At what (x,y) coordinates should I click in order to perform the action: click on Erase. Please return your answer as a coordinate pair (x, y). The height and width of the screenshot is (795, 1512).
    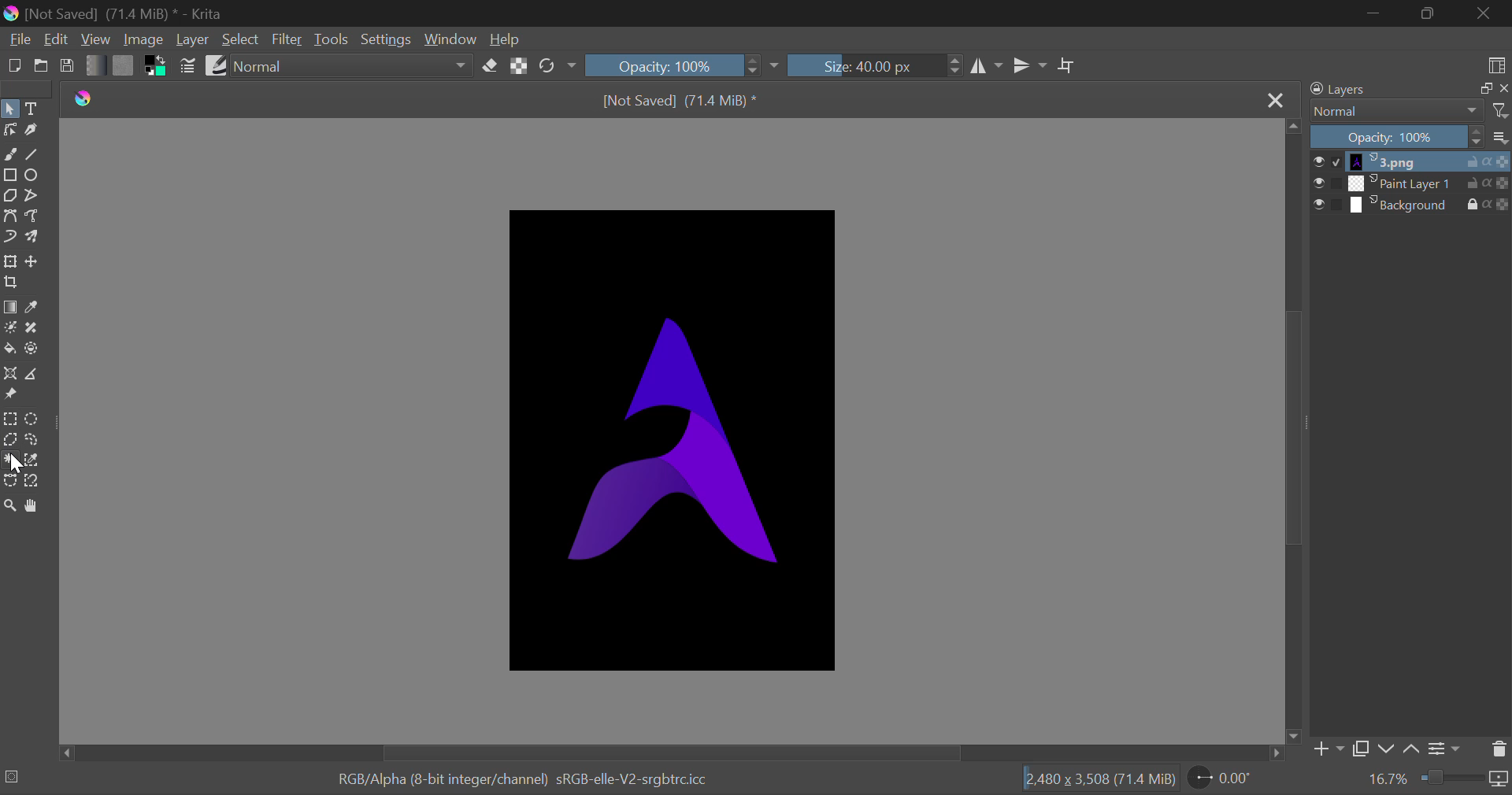
    Looking at the image, I should click on (491, 66).